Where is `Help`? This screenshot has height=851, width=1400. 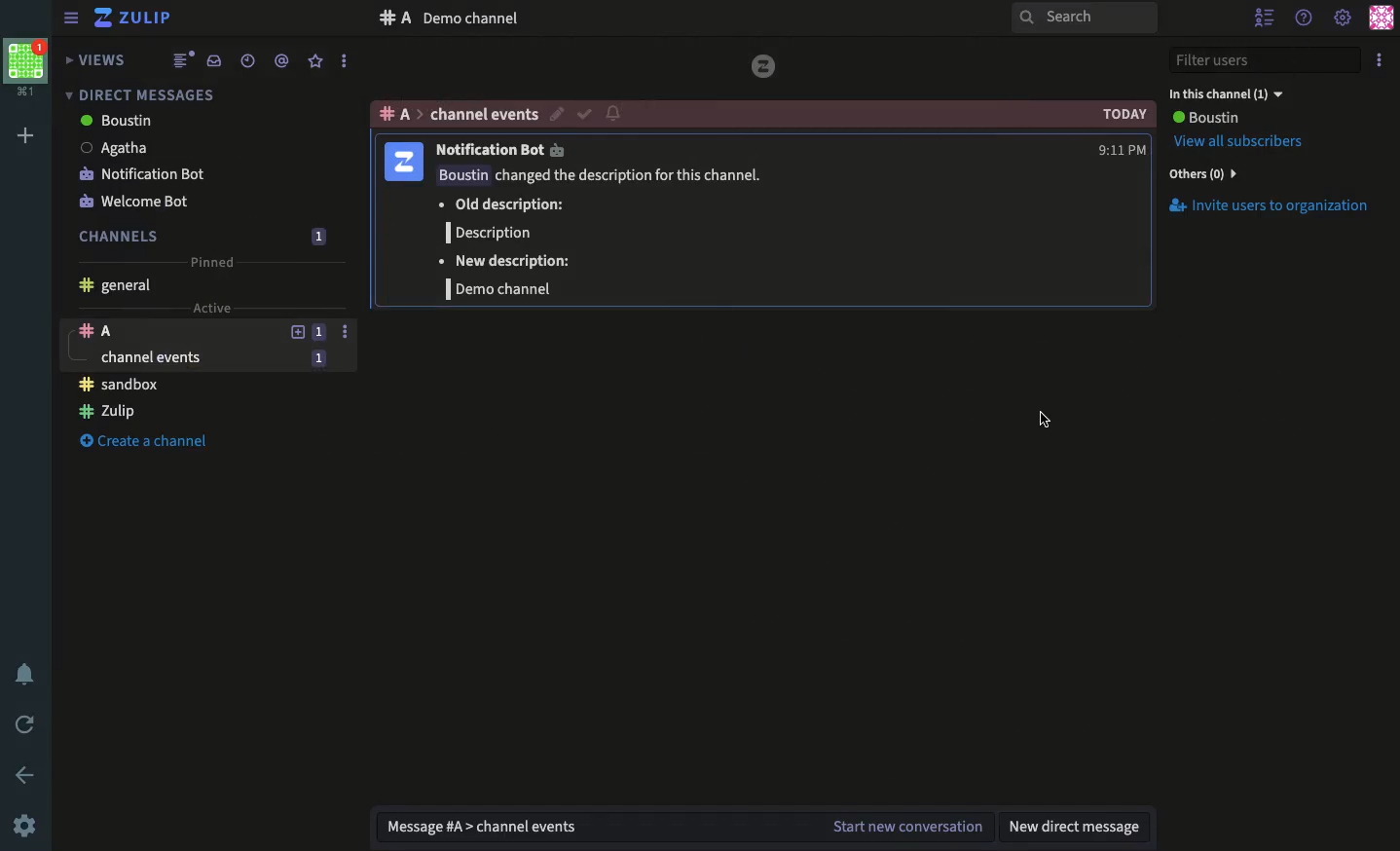 Help is located at coordinates (1305, 18).